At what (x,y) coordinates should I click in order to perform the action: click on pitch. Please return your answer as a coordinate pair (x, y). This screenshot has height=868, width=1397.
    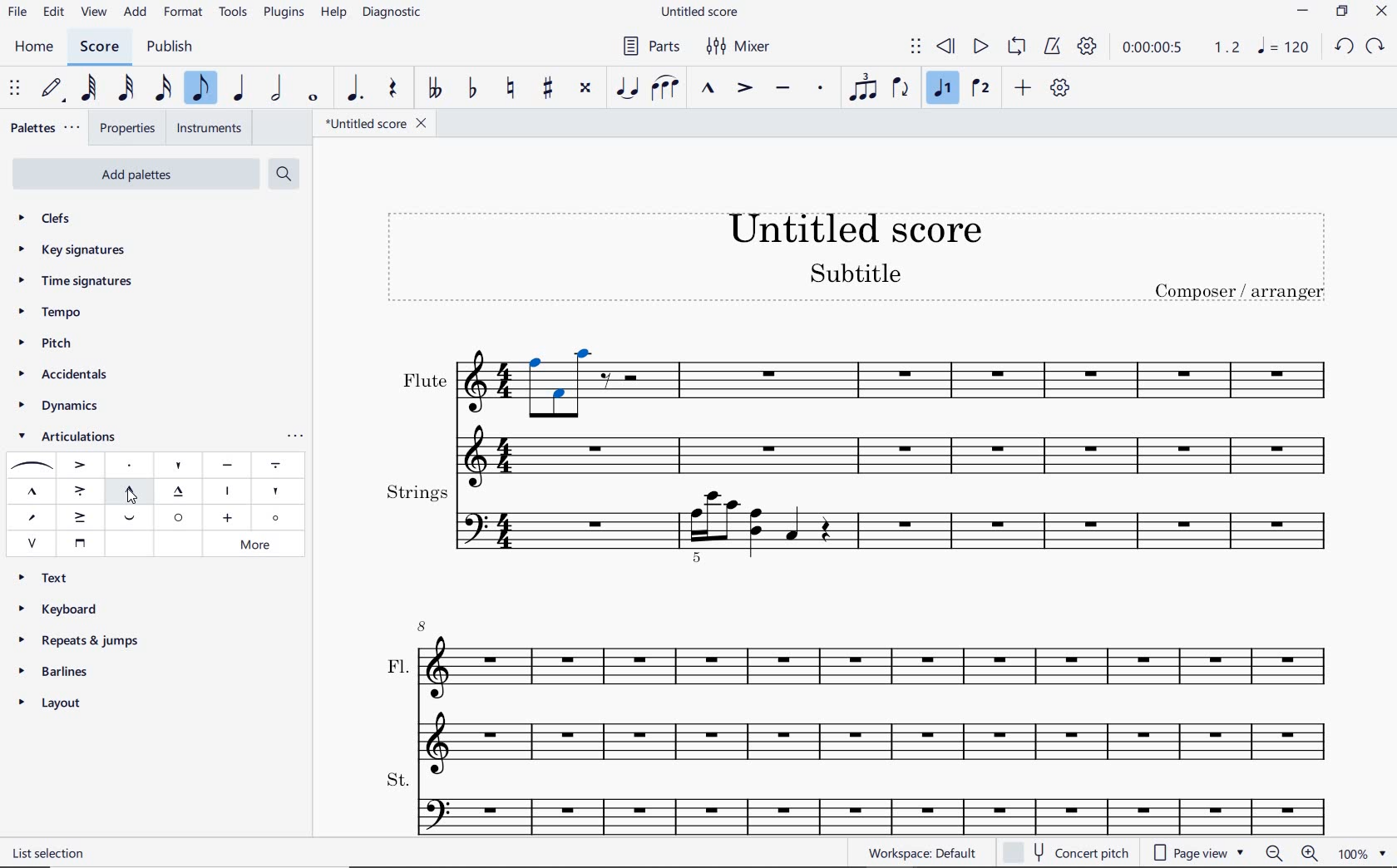
    Looking at the image, I should click on (48, 345).